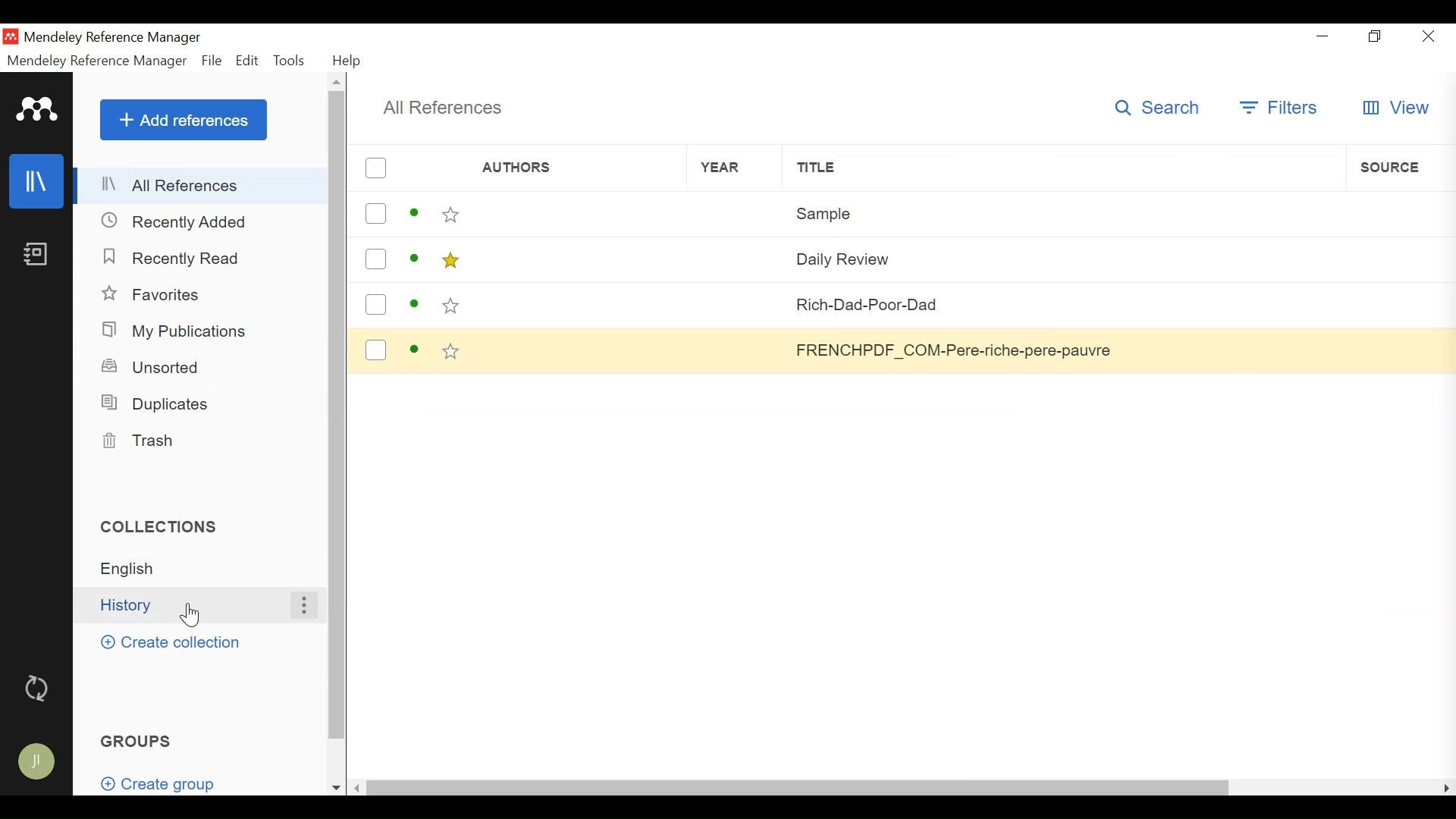  What do you see at coordinates (375, 214) in the screenshot?
I see `(un)select` at bounding box center [375, 214].